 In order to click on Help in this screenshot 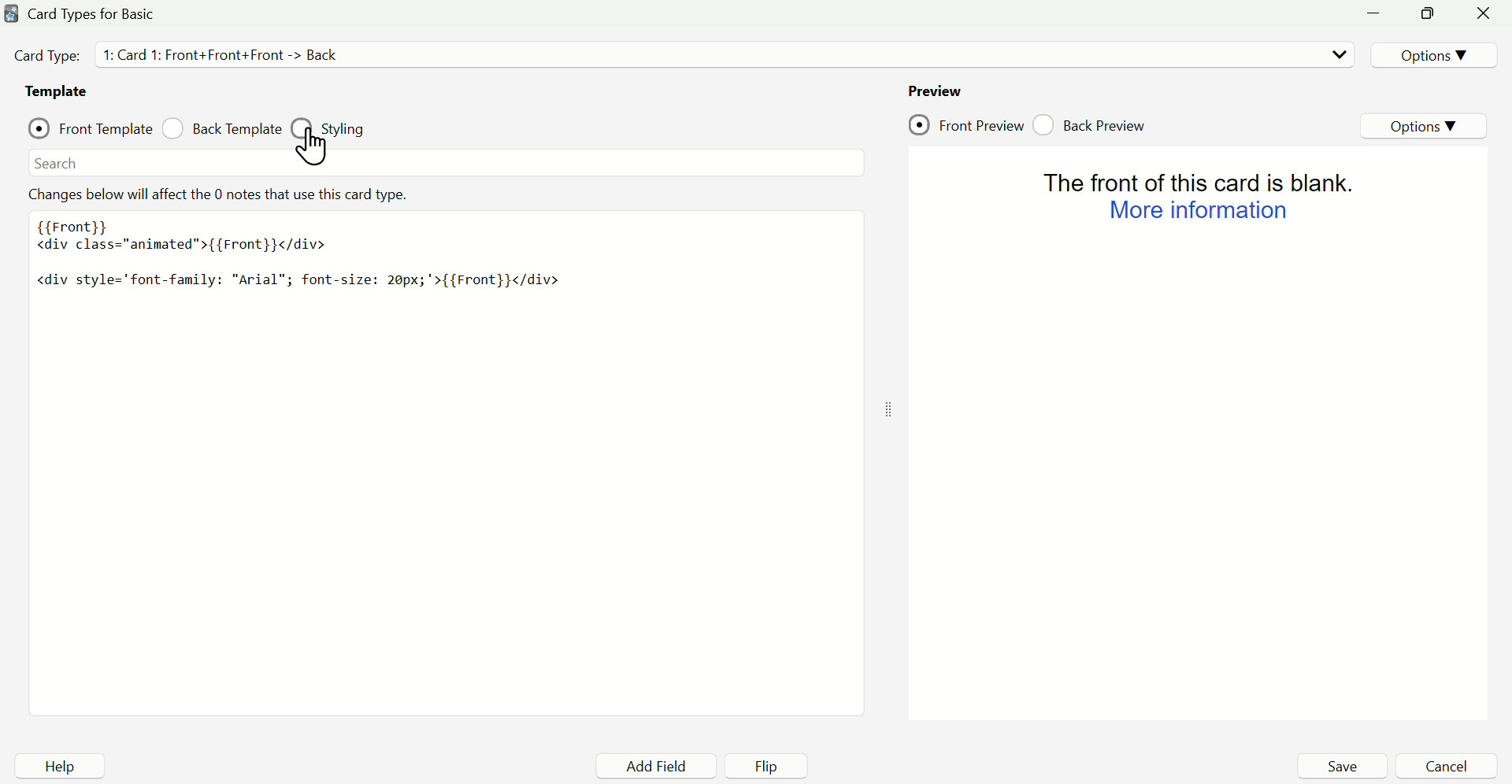, I will do `click(57, 767)`.